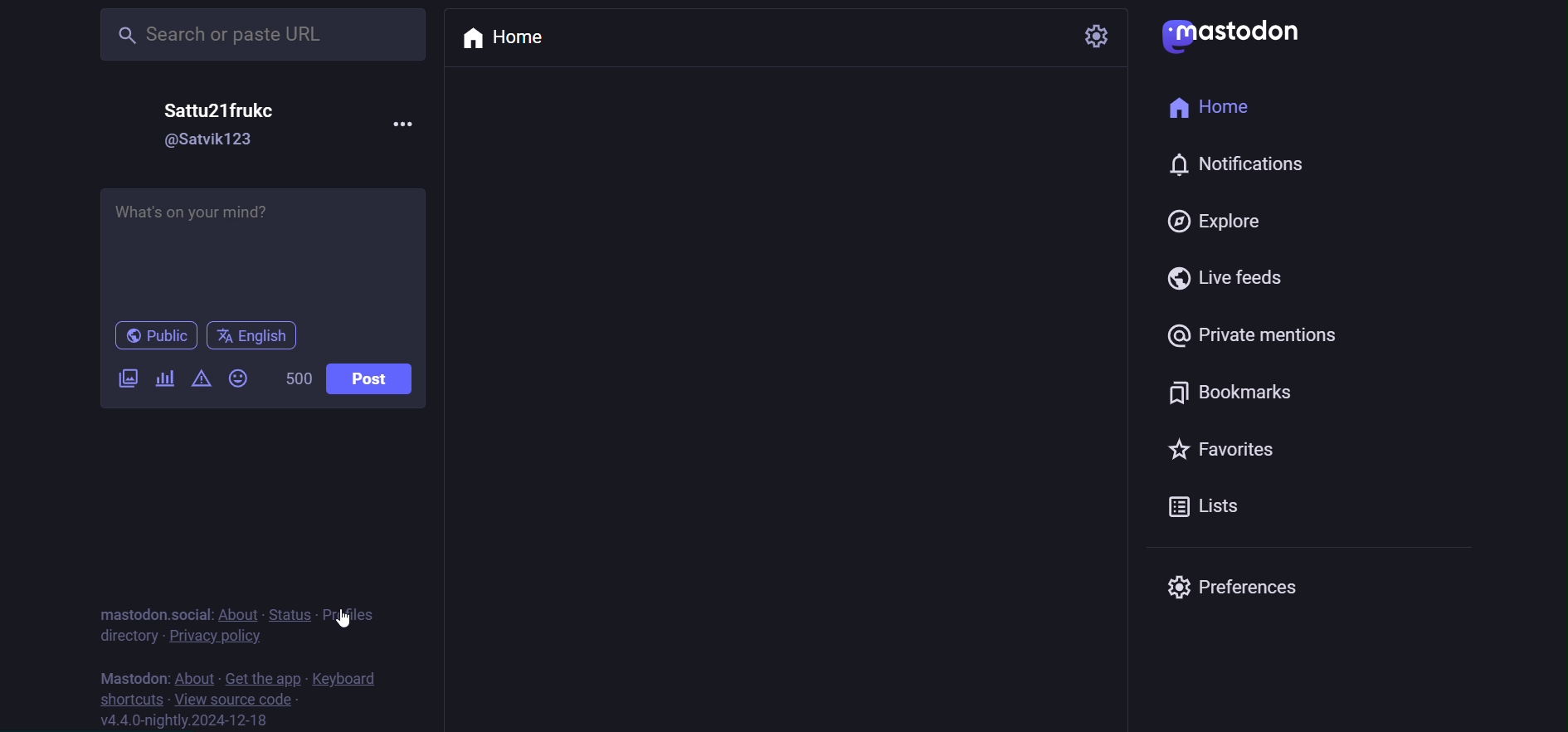 This screenshot has width=1568, height=732. Describe the element at coordinates (409, 123) in the screenshot. I see `more` at that location.